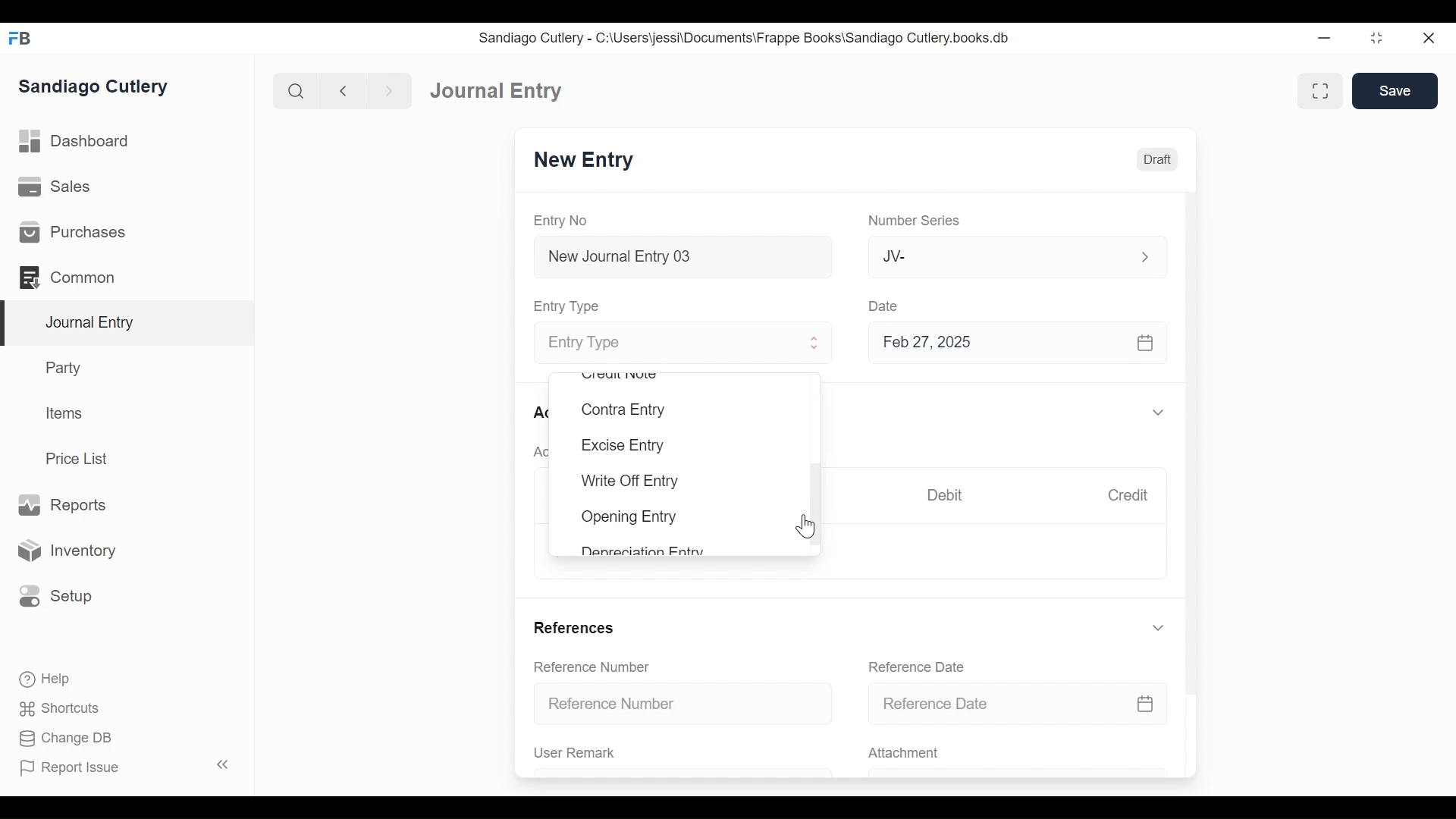  Describe the element at coordinates (1156, 161) in the screenshot. I see `Draft` at that location.